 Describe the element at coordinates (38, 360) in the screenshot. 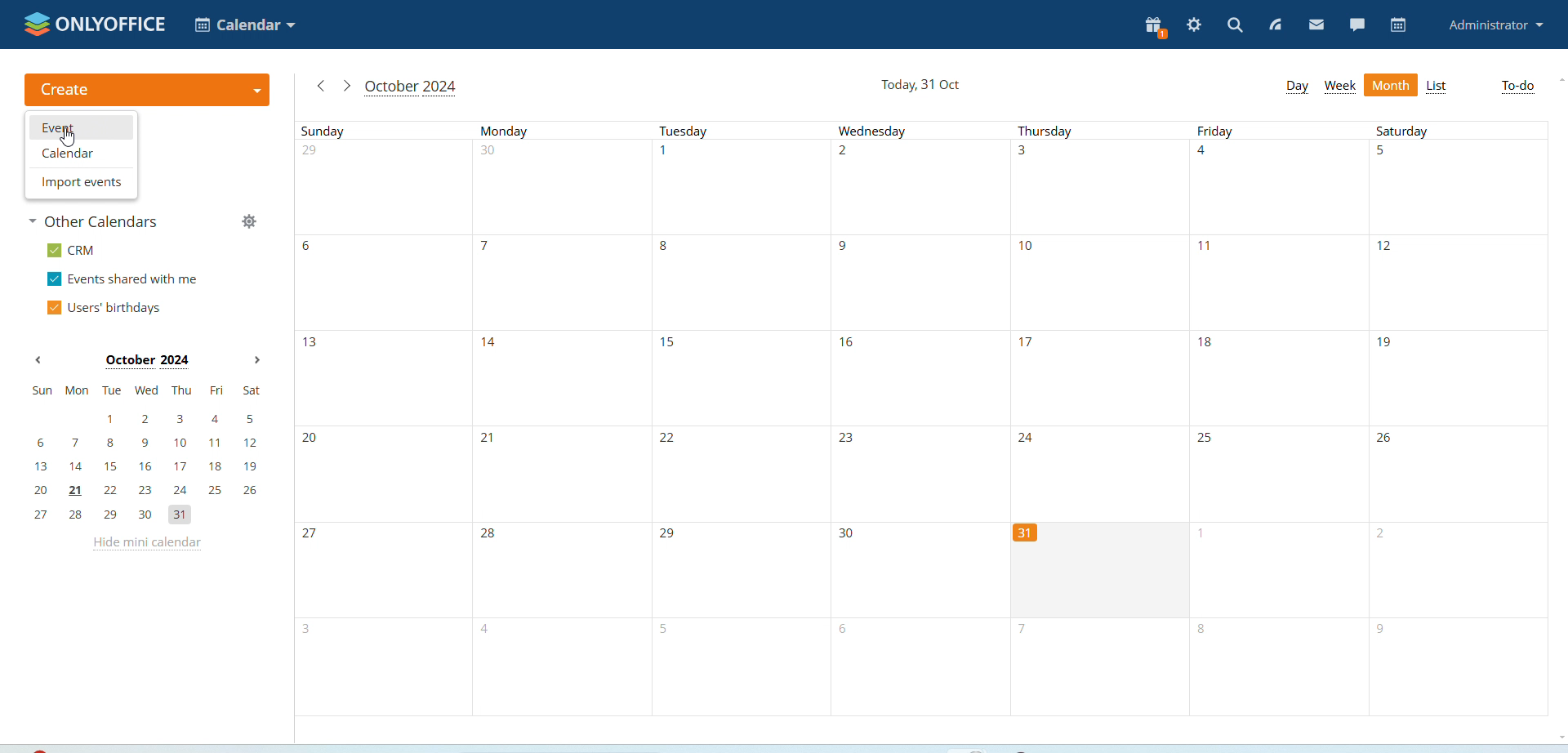

I see `previous month` at that location.